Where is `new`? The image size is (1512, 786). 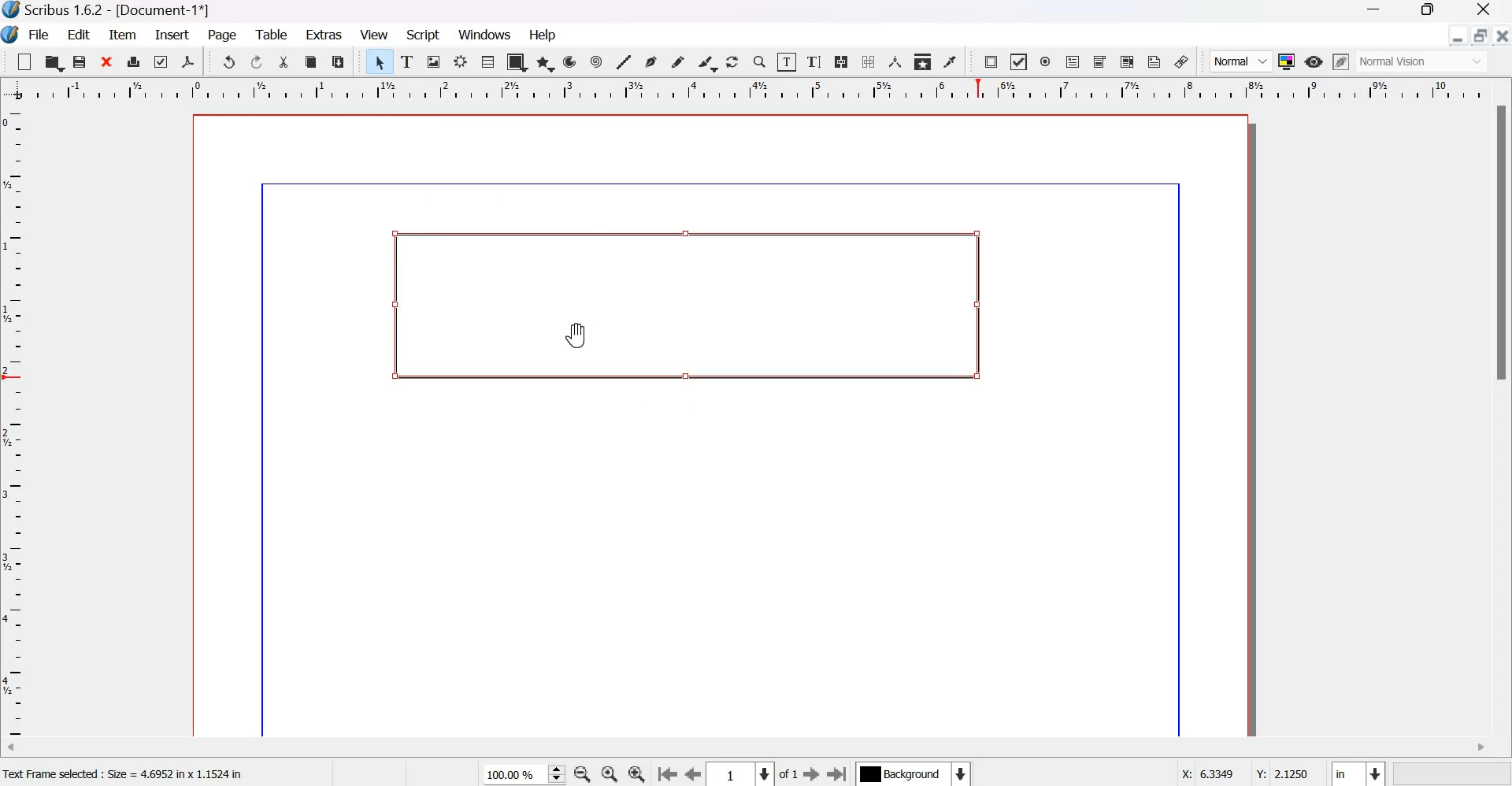 new is located at coordinates (24, 61).